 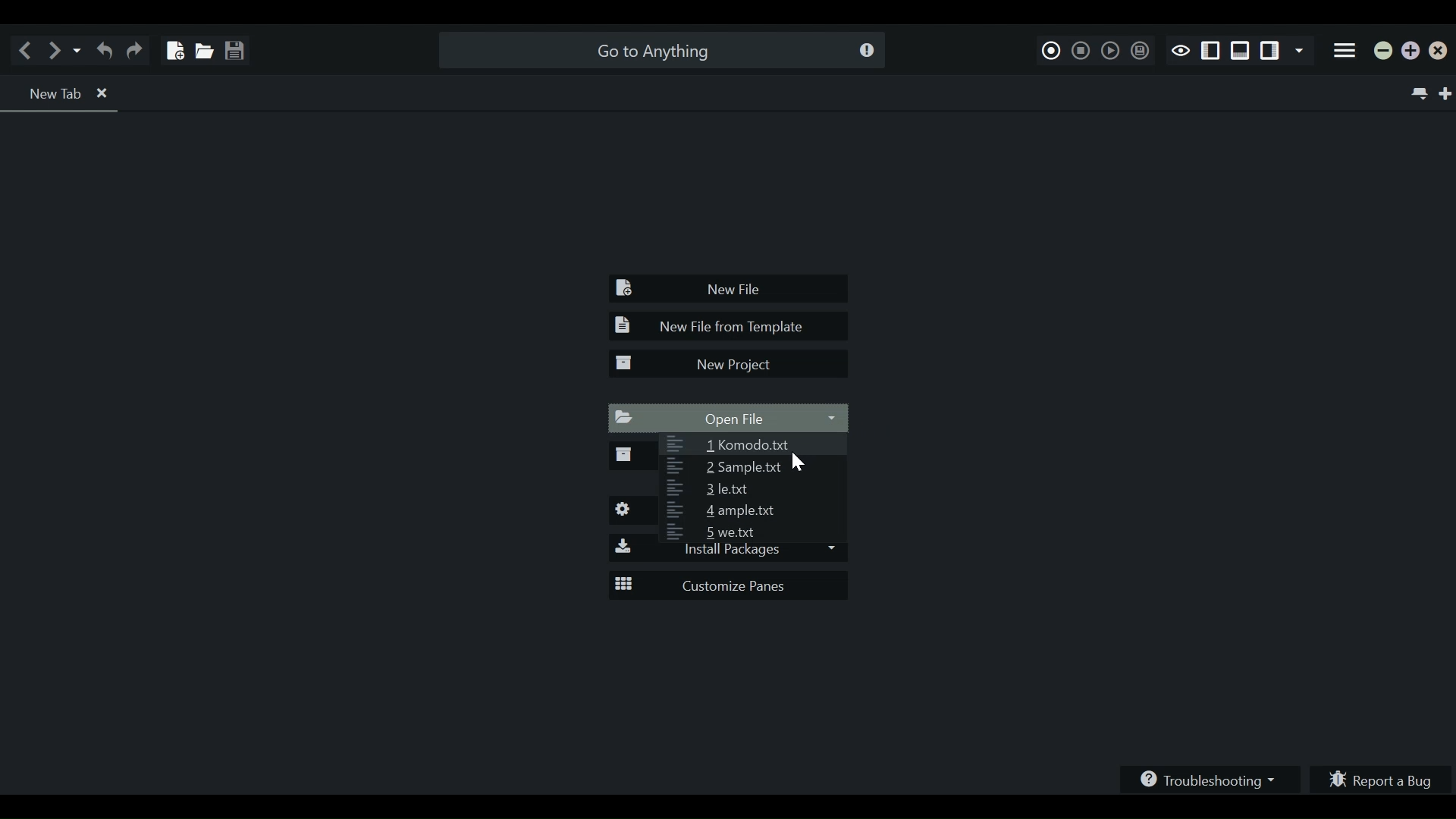 What do you see at coordinates (1383, 777) in the screenshot?
I see `Report a bug` at bounding box center [1383, 777].